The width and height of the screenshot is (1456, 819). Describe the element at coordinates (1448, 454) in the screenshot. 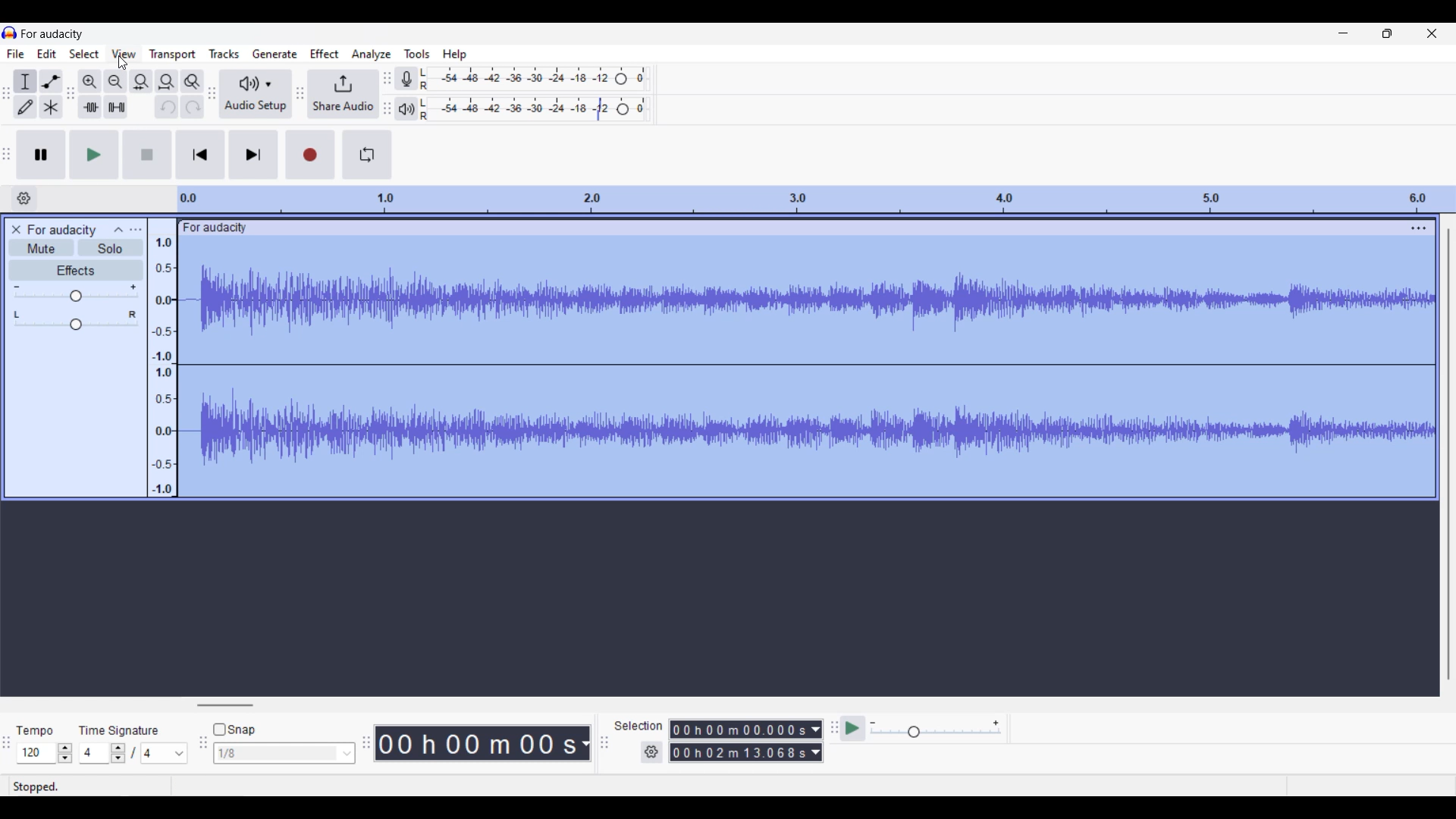

I see `Vertical slide bar` at that location.